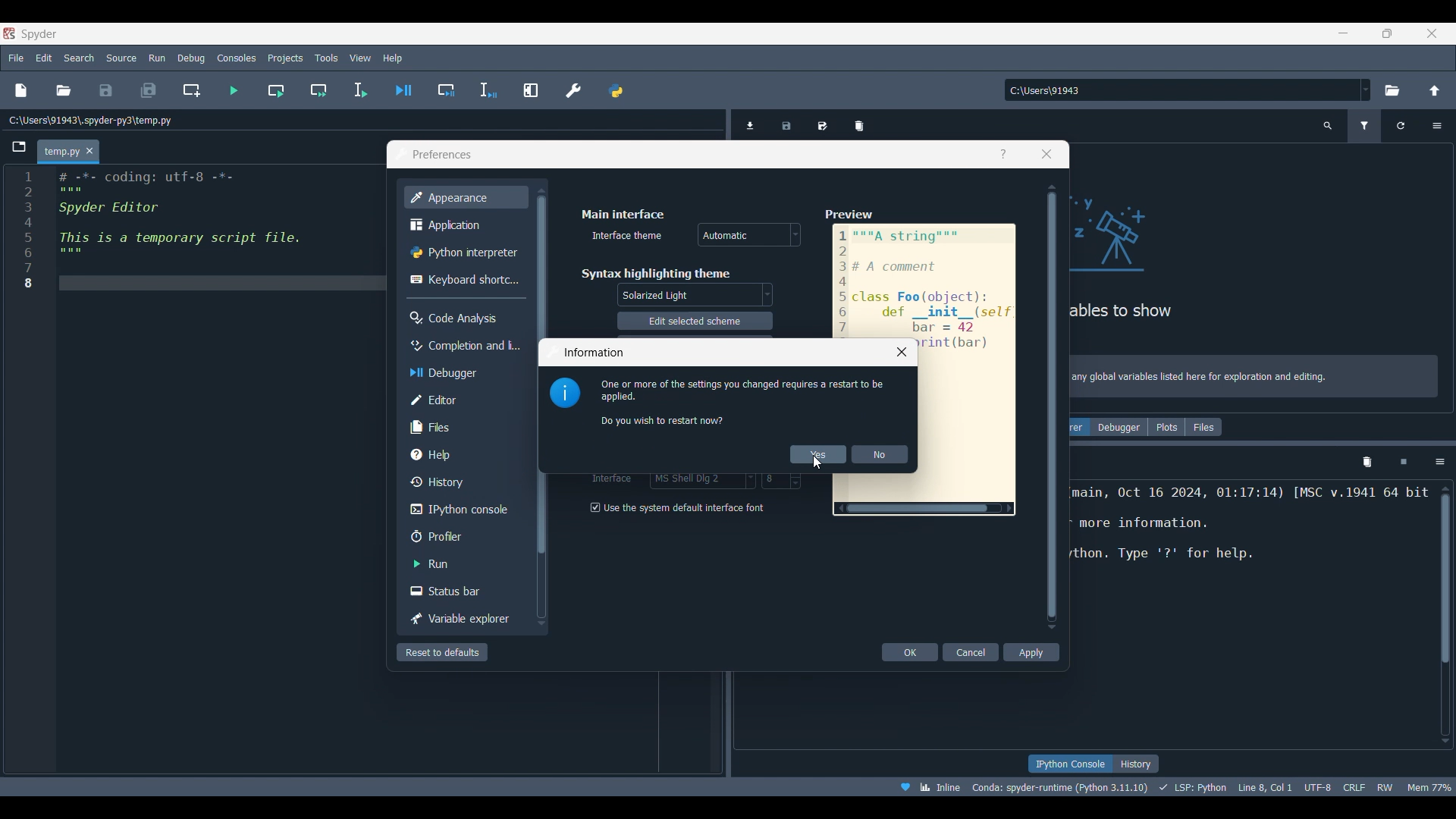 The width and height of the screenshot is (1456, 819). Describe the element at coordinates (683, 507) in the screenshot. I see `Toggle for system default font` at that location.